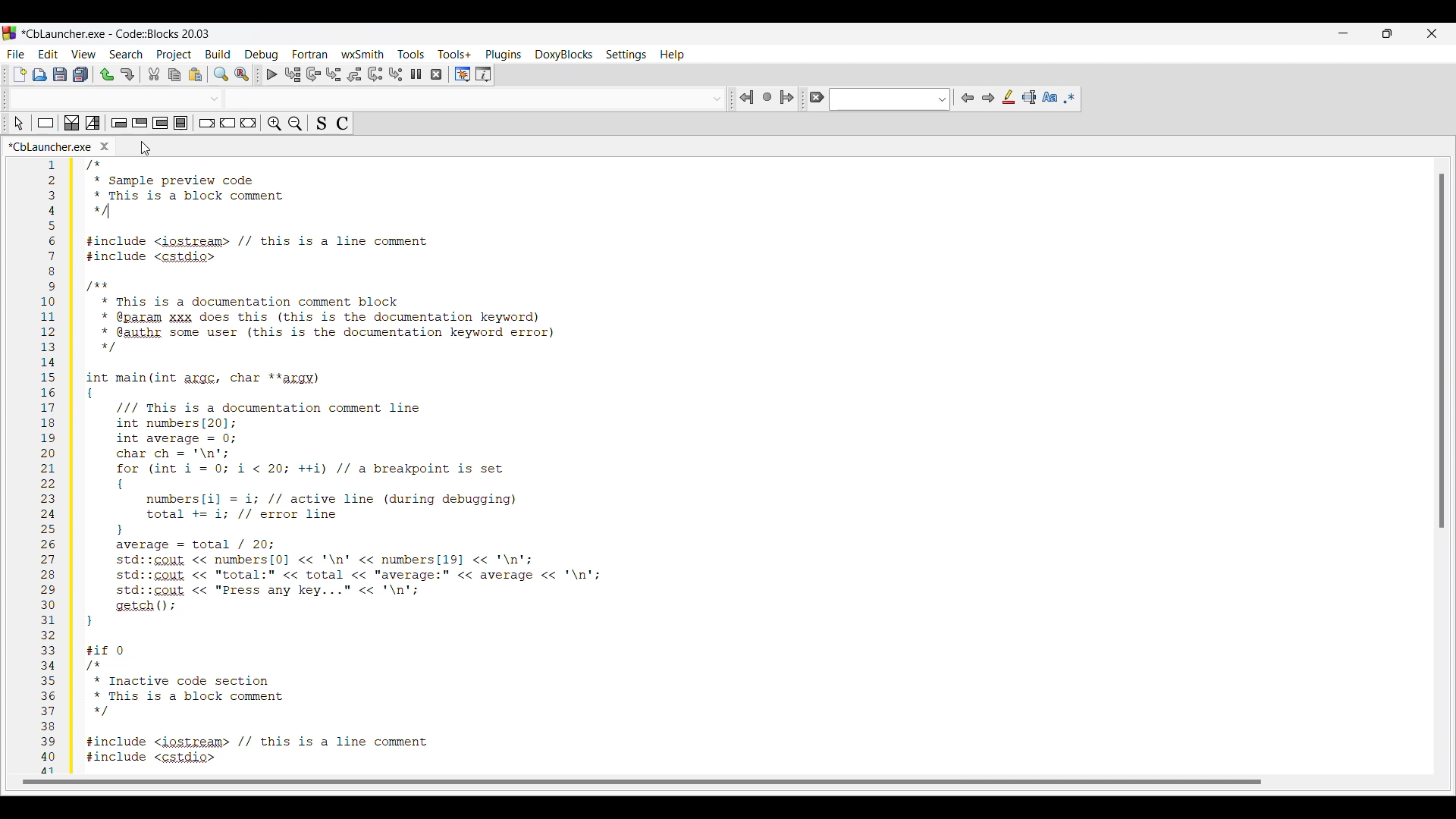  Describe the element at coordinates (107, 74) in the screenshot. I see `Undo` at that location.